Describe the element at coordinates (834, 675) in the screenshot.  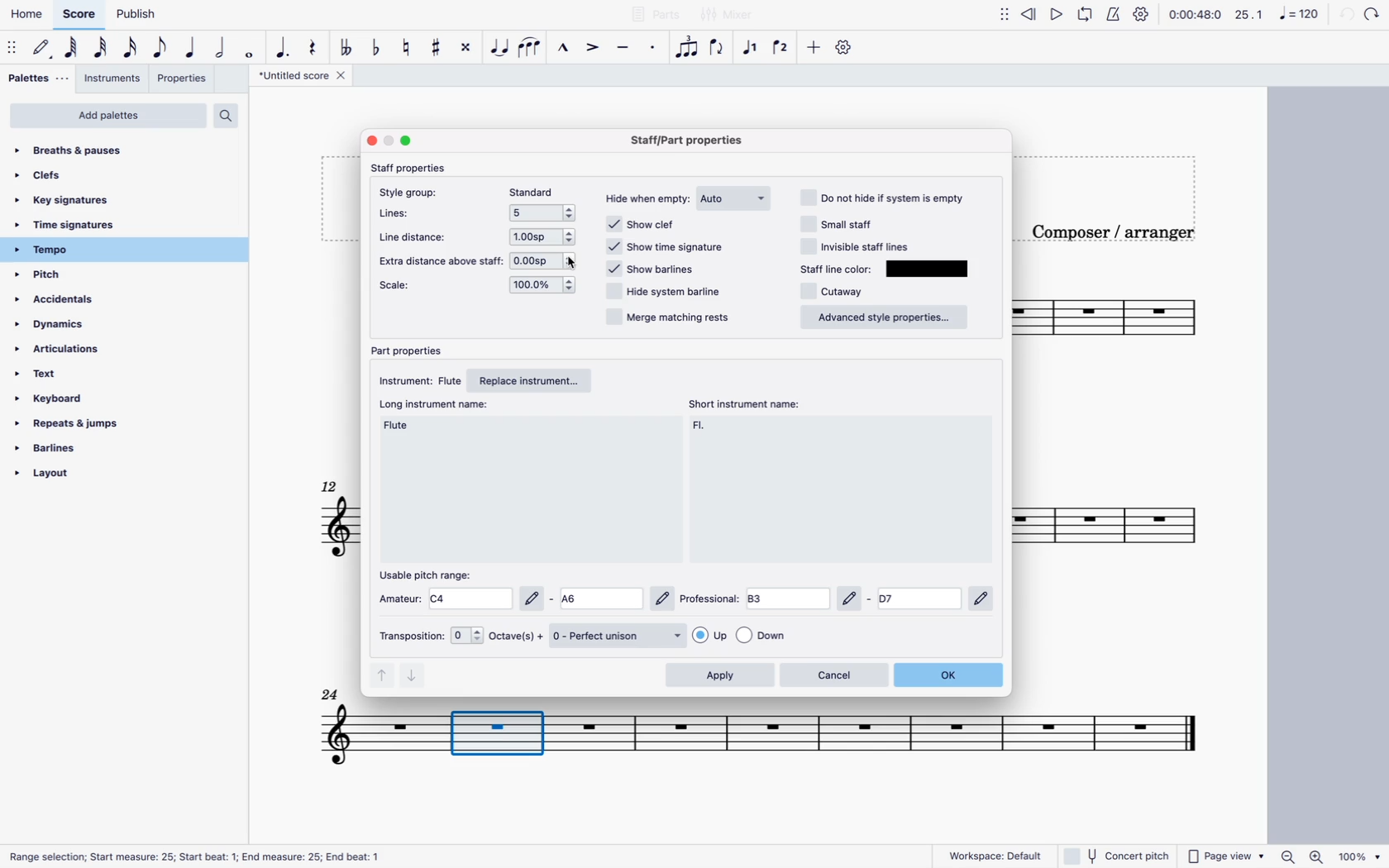
I see `cancel` at that location.